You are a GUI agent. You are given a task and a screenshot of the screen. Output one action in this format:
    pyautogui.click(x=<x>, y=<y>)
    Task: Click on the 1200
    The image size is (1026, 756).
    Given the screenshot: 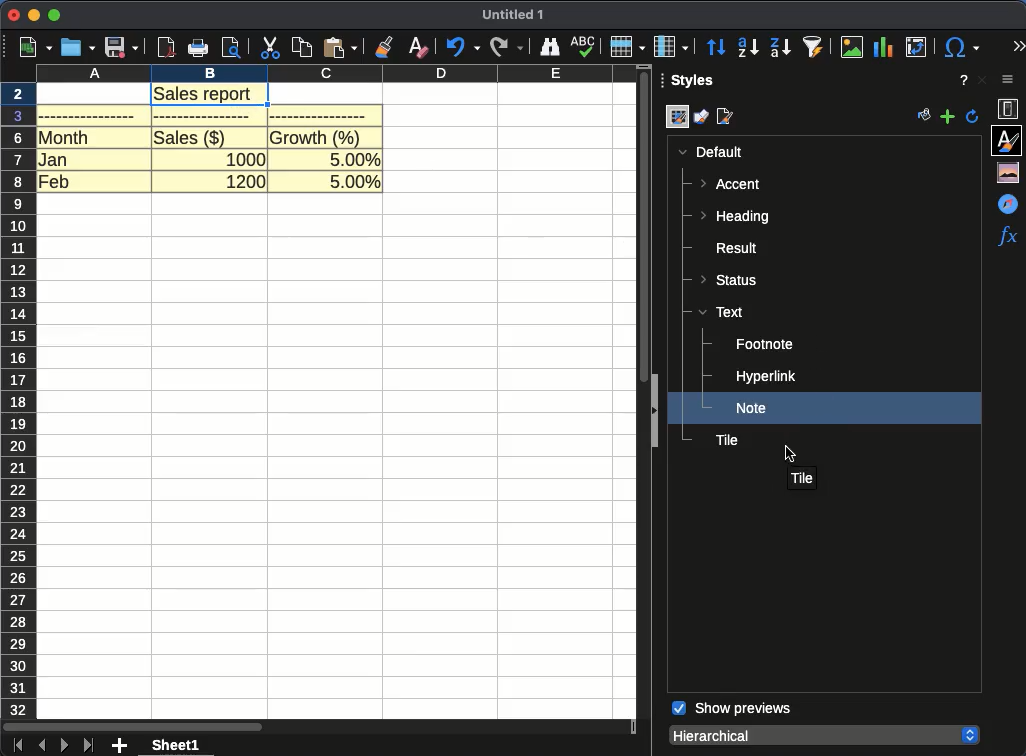 What is the action you would take?
    pyautogui.click(x=246, y=182)
    